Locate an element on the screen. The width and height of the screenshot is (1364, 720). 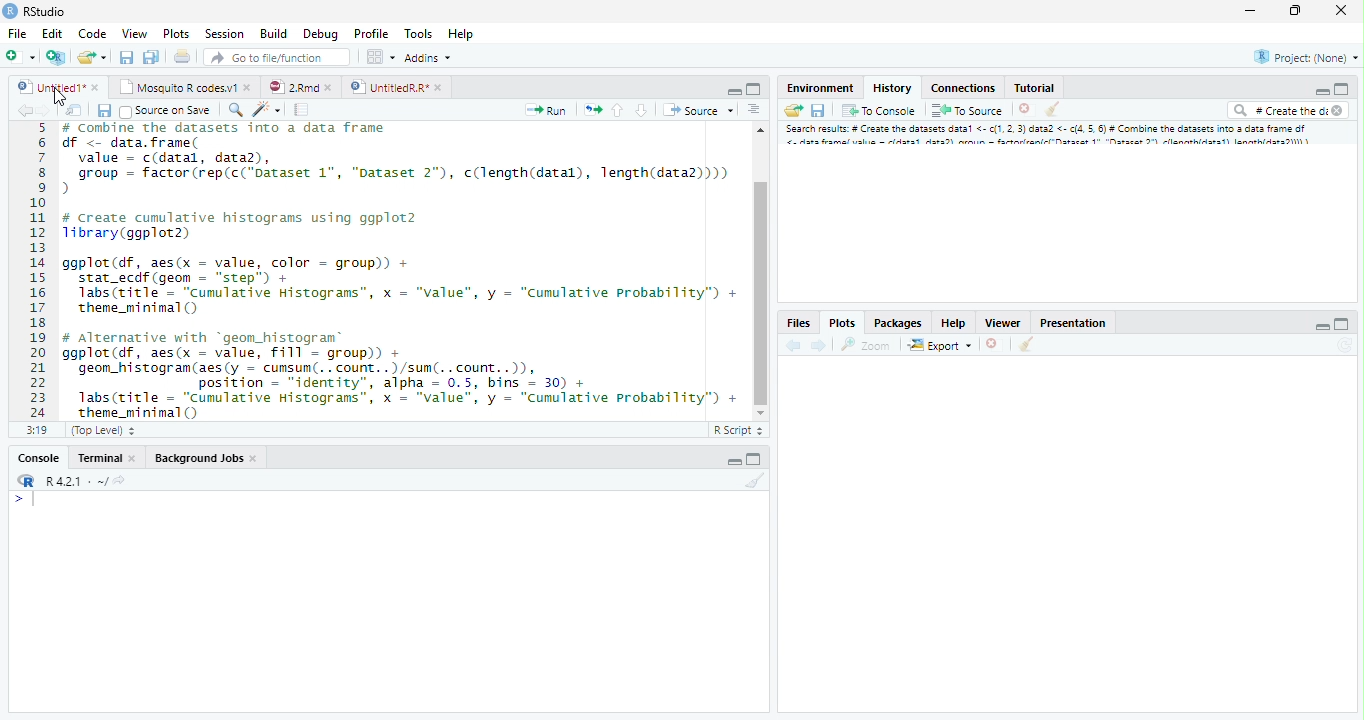
Addins is located at coordinates (429, 59).